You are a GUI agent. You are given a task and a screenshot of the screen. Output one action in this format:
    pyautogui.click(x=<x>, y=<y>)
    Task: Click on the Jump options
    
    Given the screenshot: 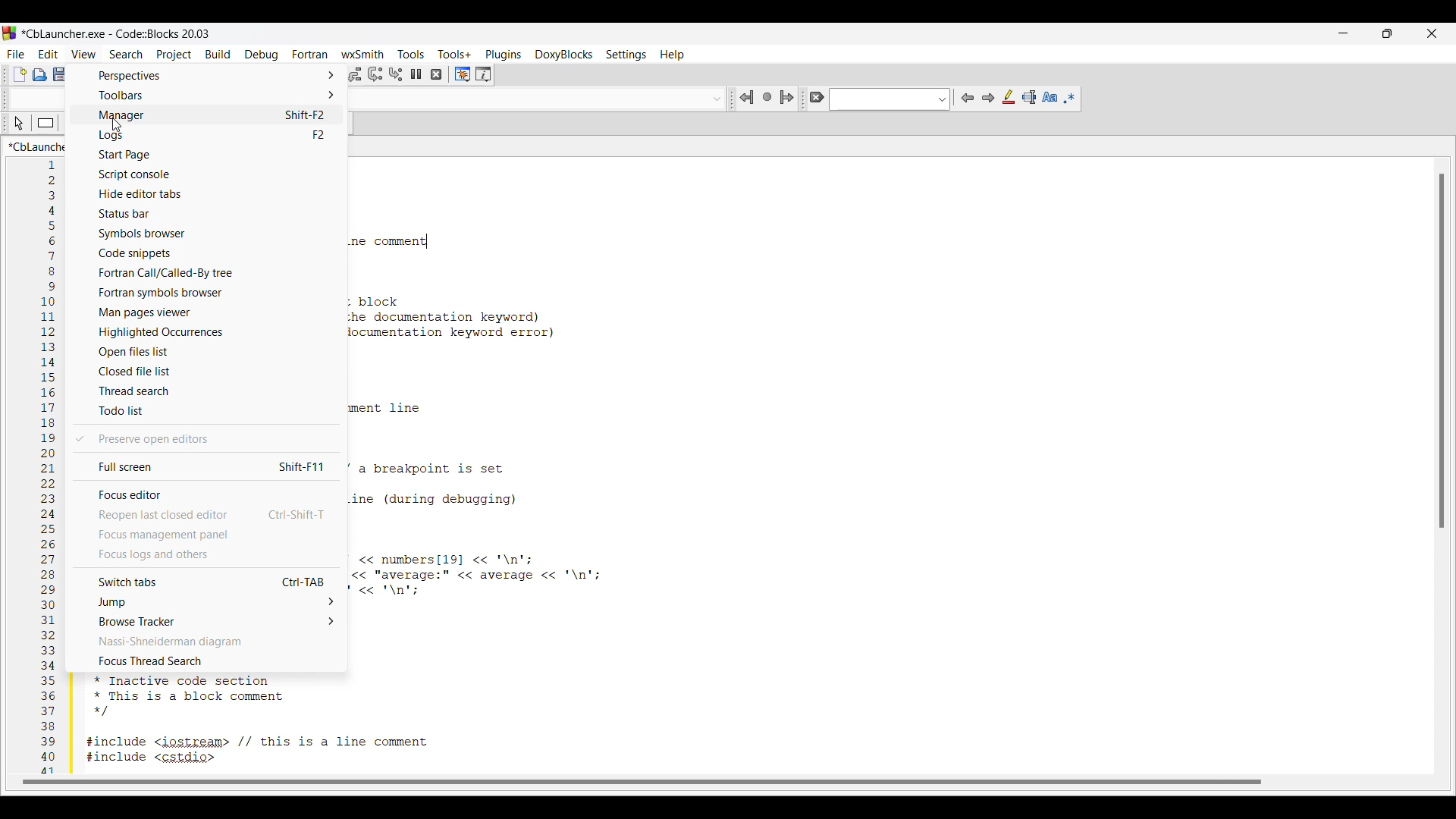 What is the action you would take?
    pyautogui.click(x=206, y=601)
    